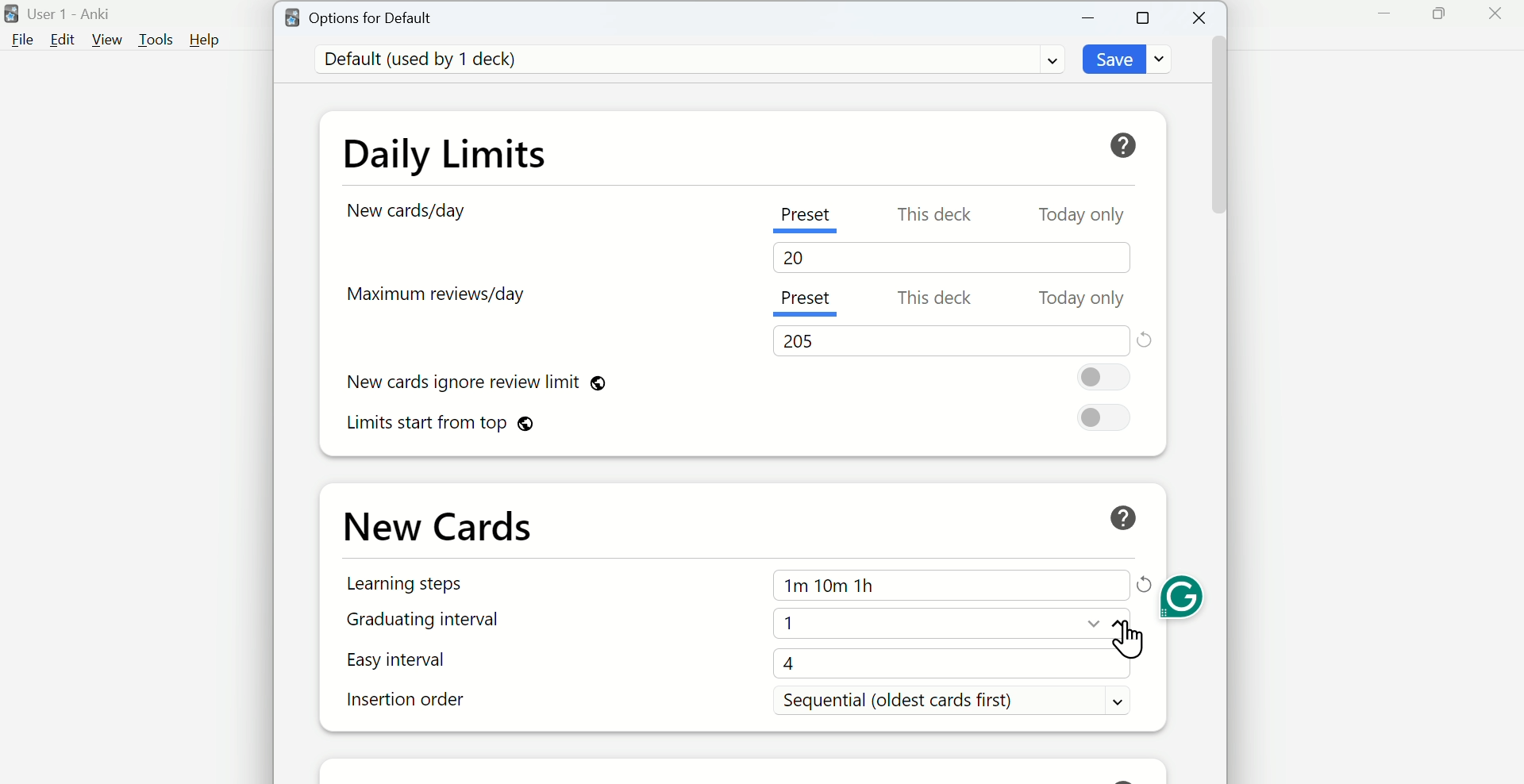  What do you see at coordinates (946, 579) in the screenshot?
I see `1m 10m` at bounding box center [946, 579].